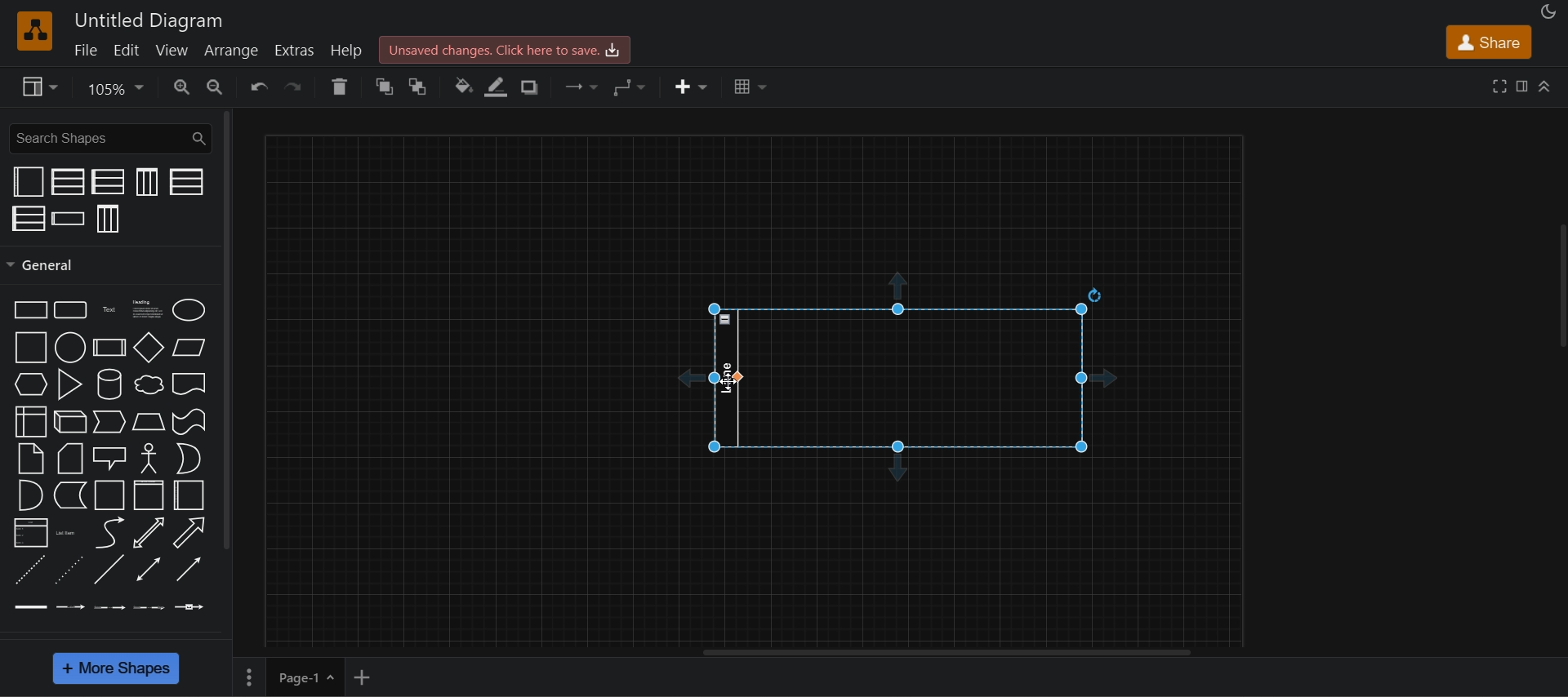 The height and width of the screenshot is (697, 1568). What do you see at coordinates (69, 218) in the screenshot?
I see `horizontal swim lane` at bounding box center [69, 218].